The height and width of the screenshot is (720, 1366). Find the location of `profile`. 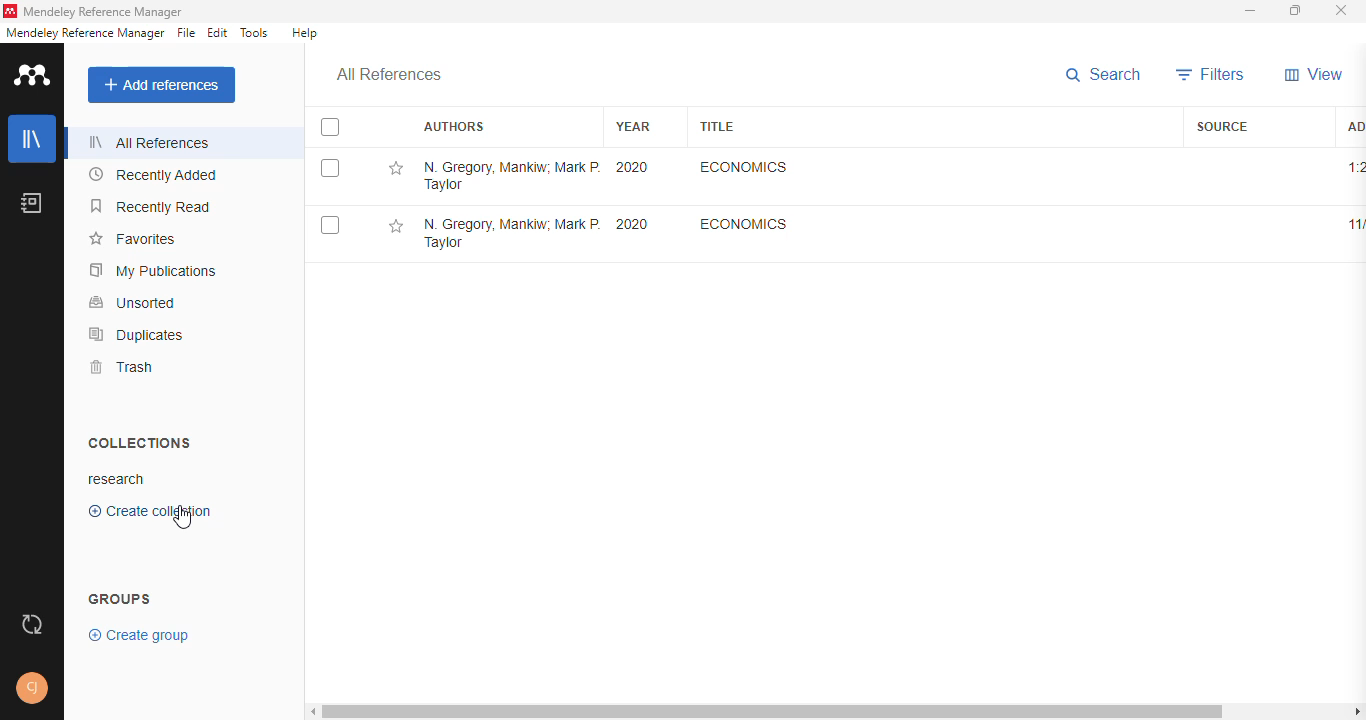

profile is located at coordinates (32, 688).